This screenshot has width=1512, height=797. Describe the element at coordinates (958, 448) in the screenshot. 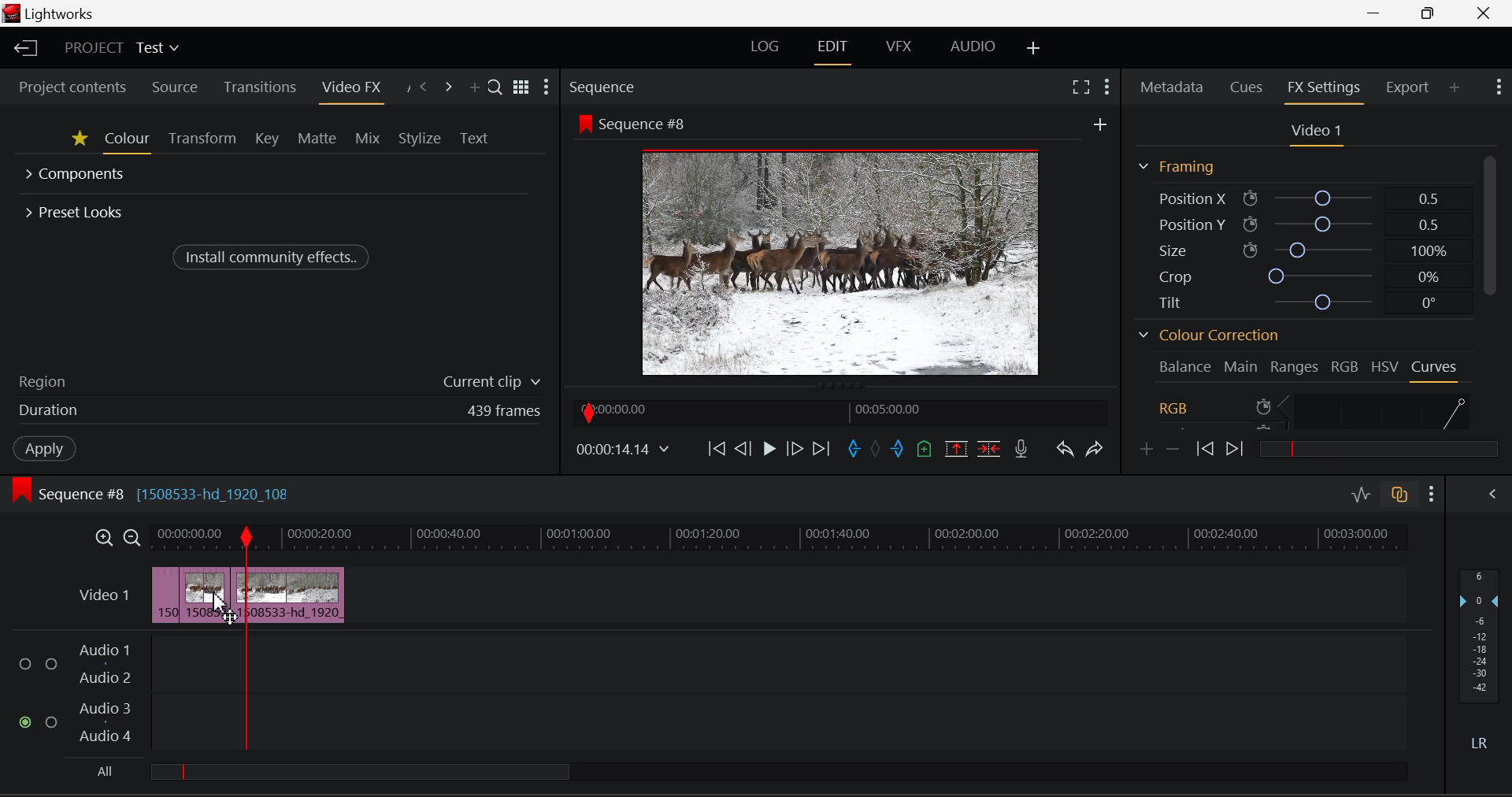

I see `Remove Marked Section` at that location.